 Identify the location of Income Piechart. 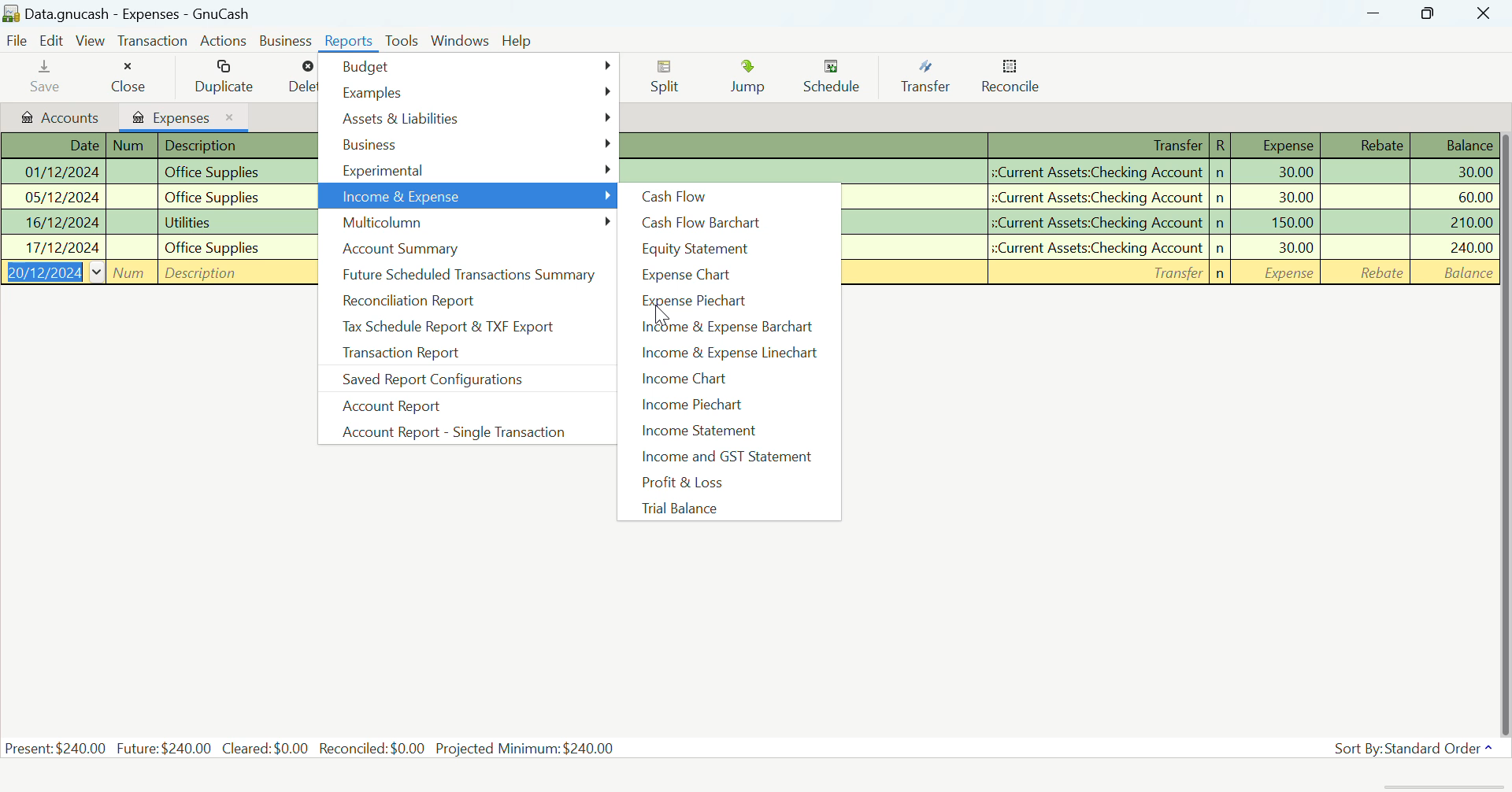
(726, 405).